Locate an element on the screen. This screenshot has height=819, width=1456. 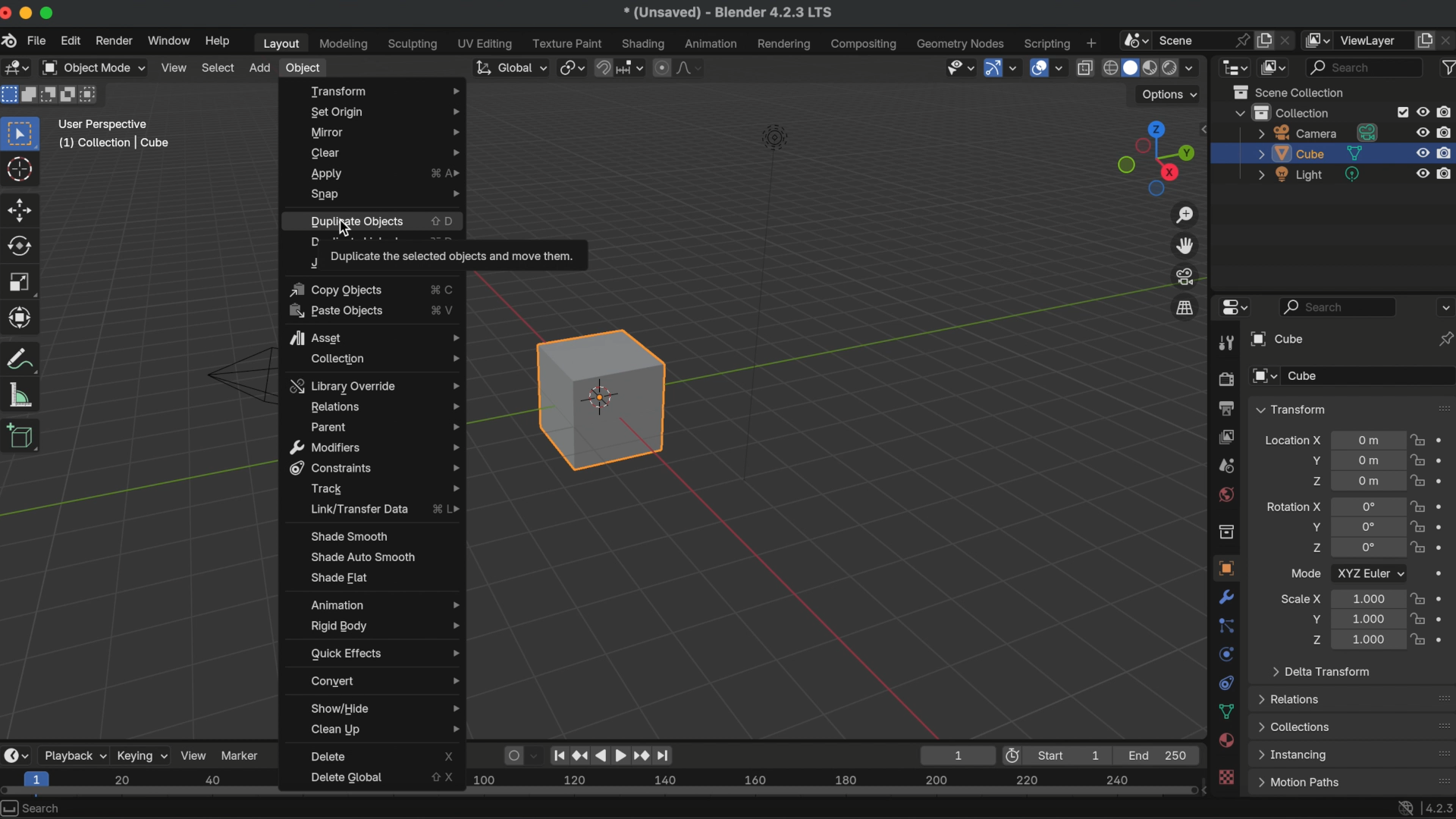
view layer is located at coordinates (1225, 436).